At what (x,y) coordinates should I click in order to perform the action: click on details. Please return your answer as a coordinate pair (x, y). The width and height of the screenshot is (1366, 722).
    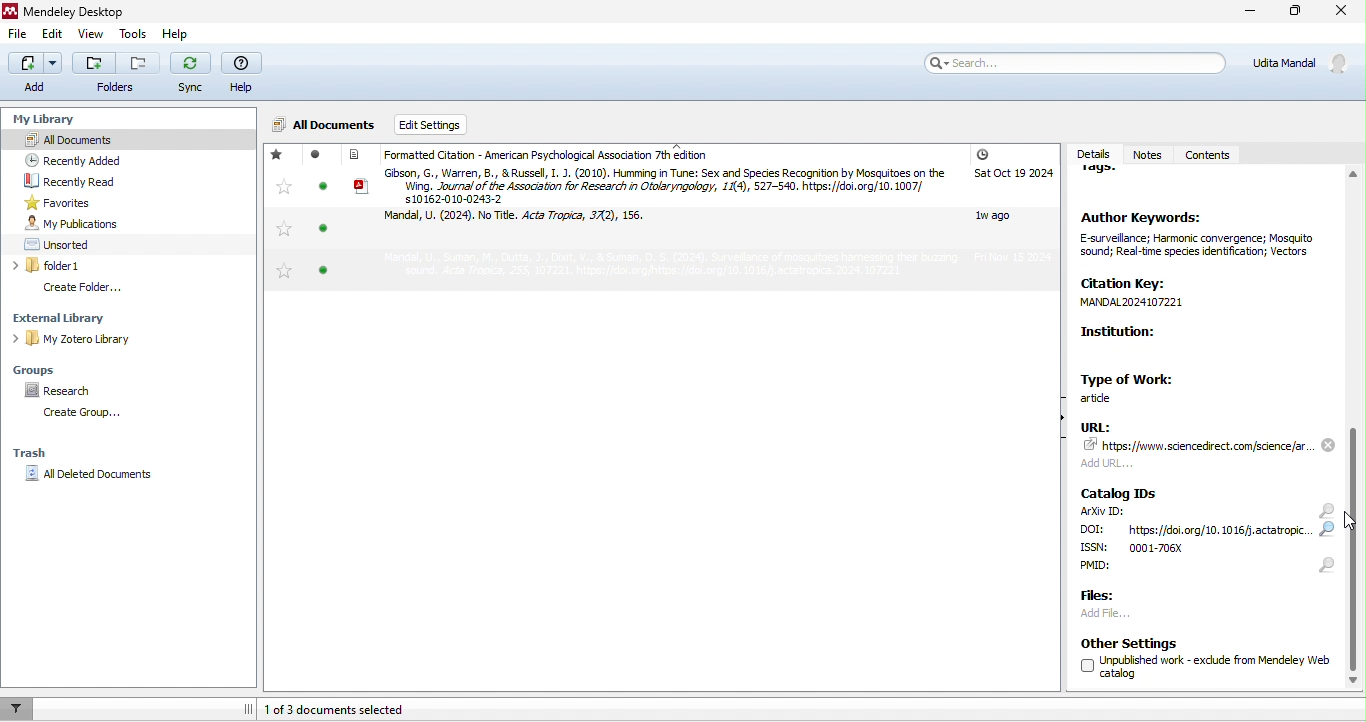
    Looking at the image, I should click on (1091, 149).